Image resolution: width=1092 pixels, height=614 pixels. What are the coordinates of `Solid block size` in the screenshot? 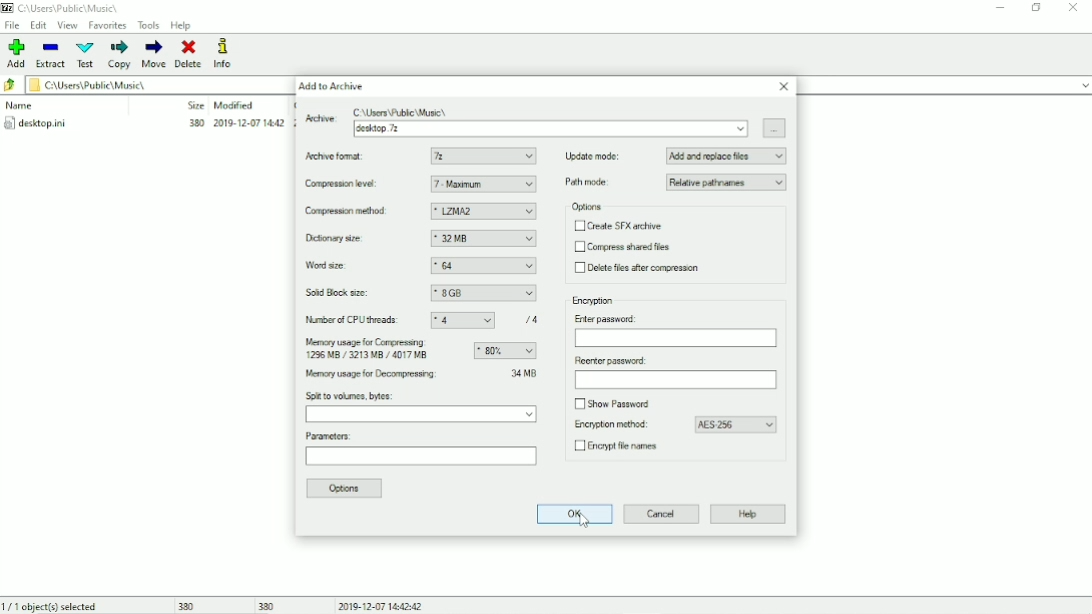 It's located at (339, 293).